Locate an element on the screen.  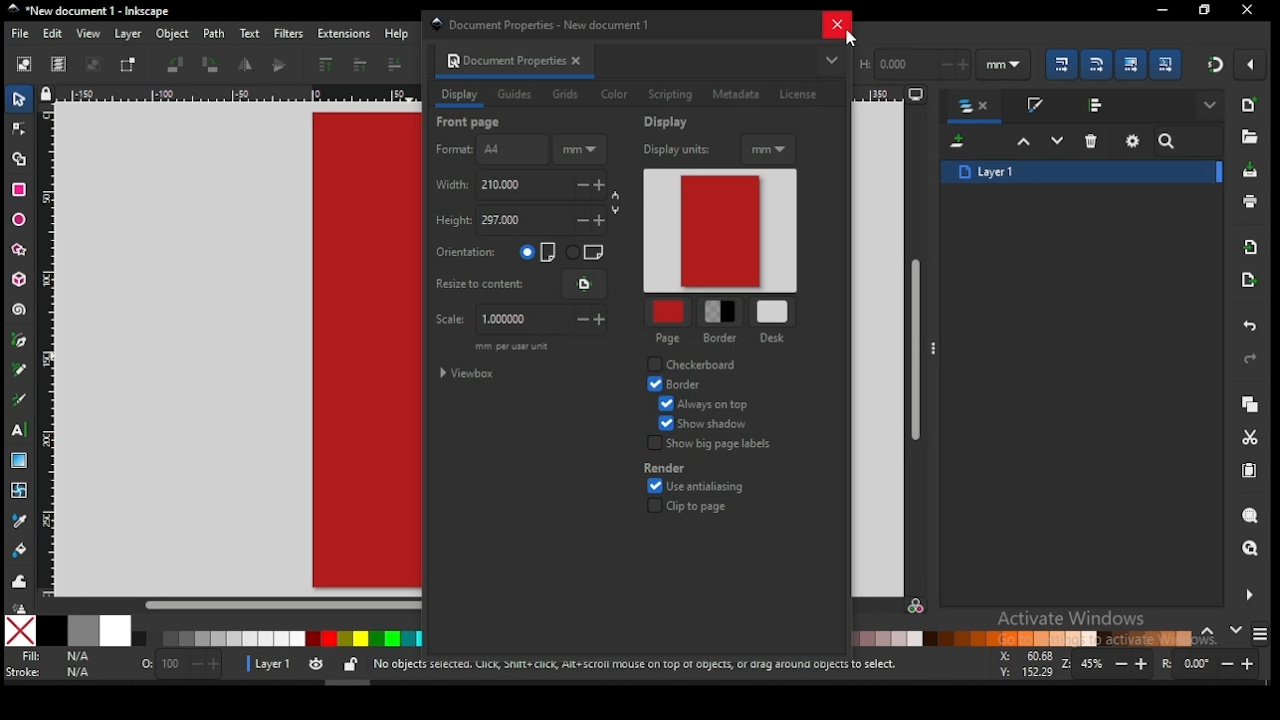
checkbox: always on top is located at coordinates (702, 406).